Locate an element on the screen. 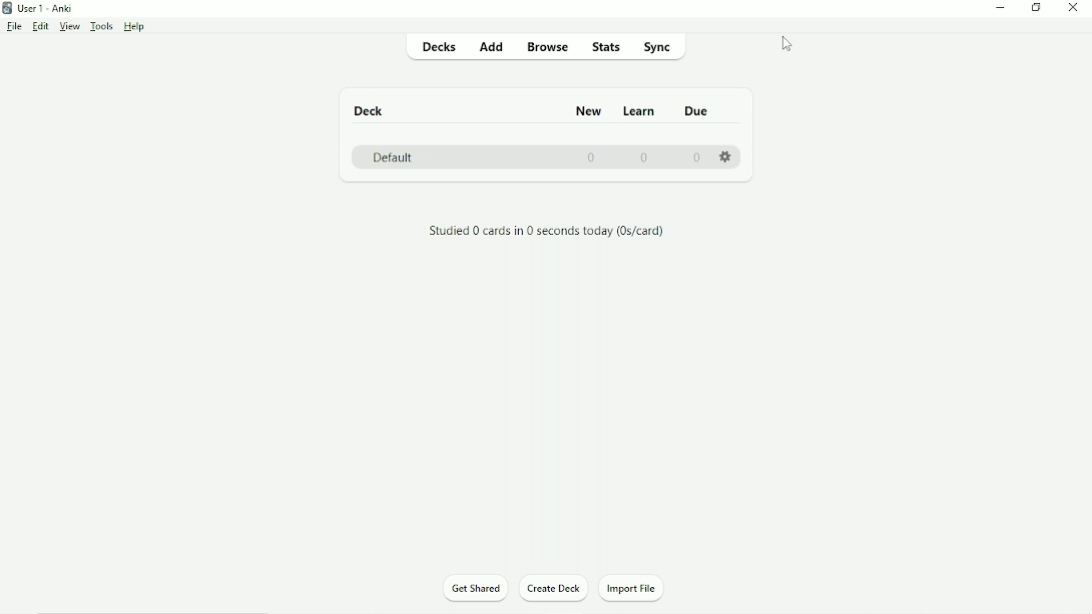 Image resolution: width=1092 pixels, height=614 pixels. Decks is located at coordinates (437, 46).